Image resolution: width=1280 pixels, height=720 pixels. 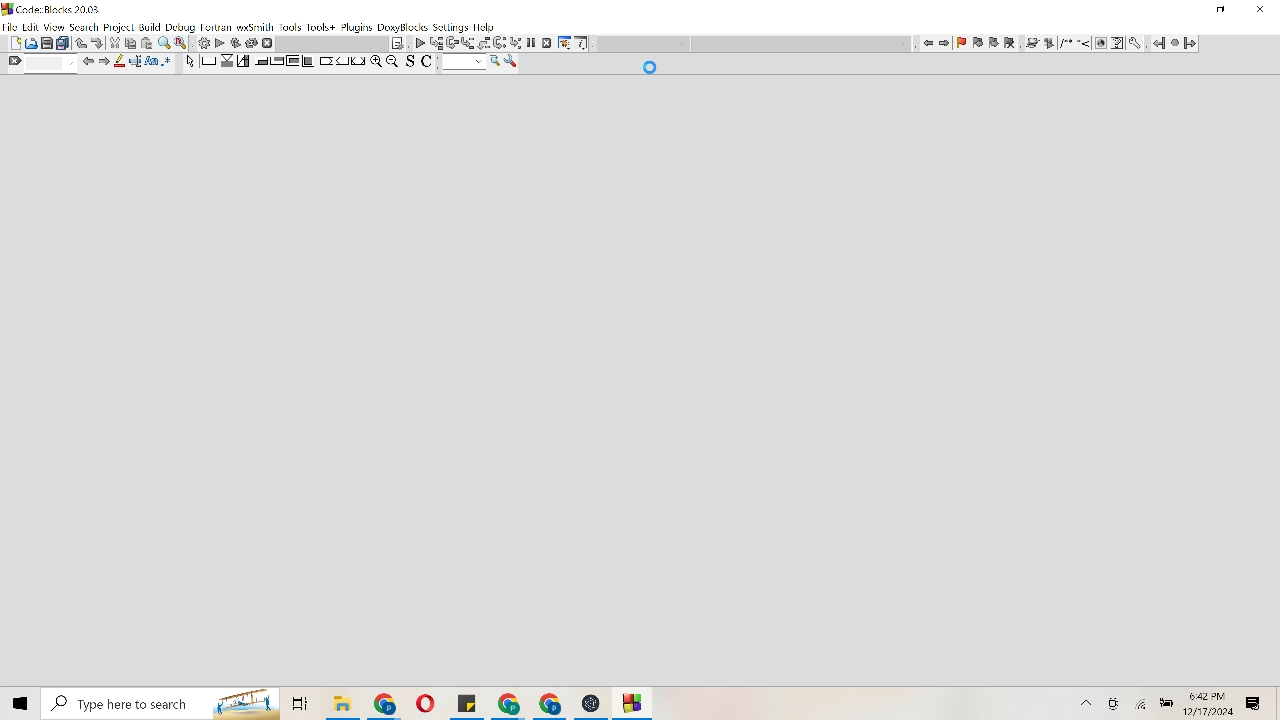 What do you see at coordinates (548, 43) in the screenshot?
I see `Cancel` at bounding box center [548, 43].